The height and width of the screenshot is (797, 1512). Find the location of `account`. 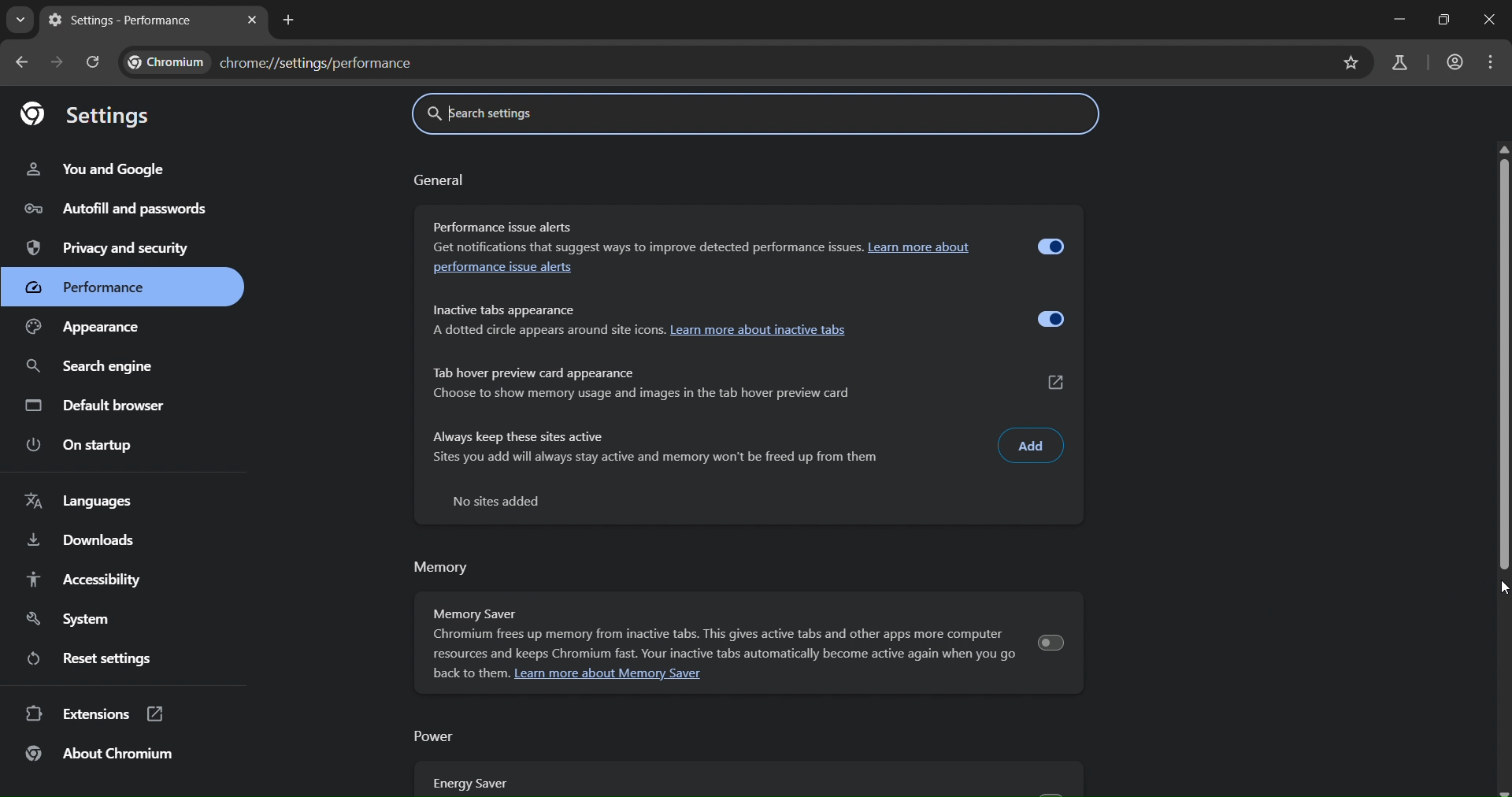

account is located at coordinates (1452, 63).